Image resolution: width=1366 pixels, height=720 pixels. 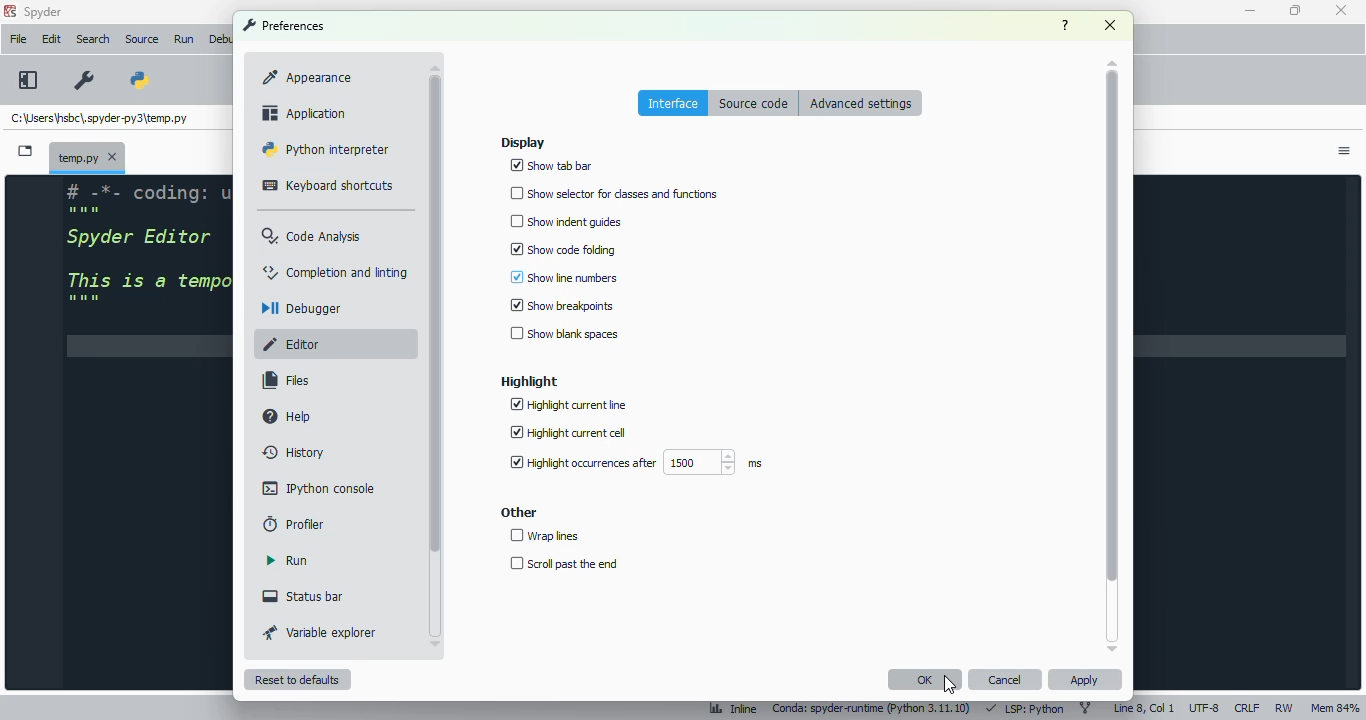 What do you see at coordinates (287, 561) in the screenshot?
I see `run` at bounding box center [287, 561].